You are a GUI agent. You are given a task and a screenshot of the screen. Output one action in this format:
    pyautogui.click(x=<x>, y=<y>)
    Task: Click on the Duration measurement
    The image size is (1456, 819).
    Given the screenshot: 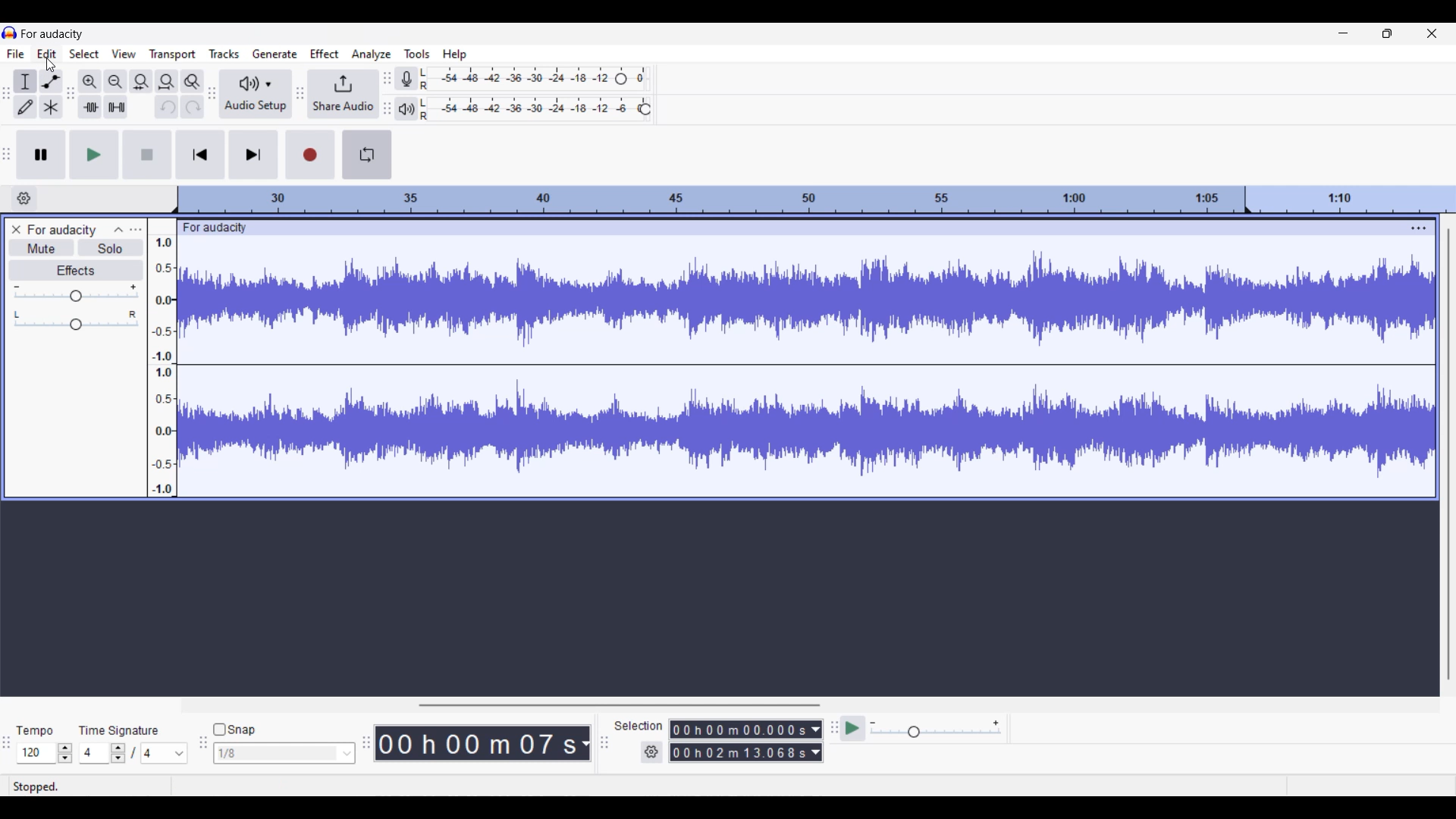 What is the action you would take?
    pyautogui.click(x=817, y=741)
    